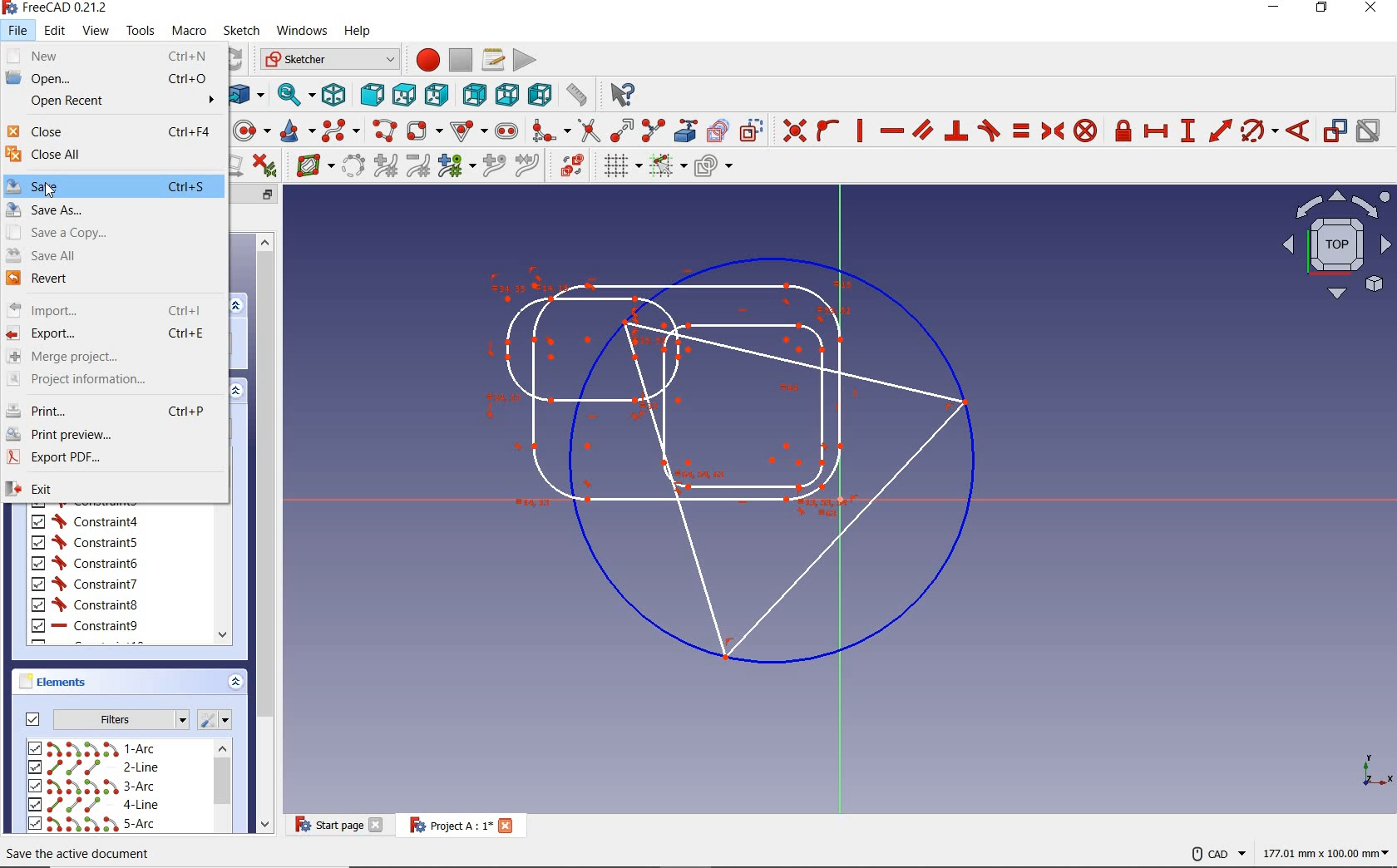 The height and width of the screenshot is (868, 1397). Describe the element at coordinates (738, 455) in the screenshot. I see `project design` at that location.